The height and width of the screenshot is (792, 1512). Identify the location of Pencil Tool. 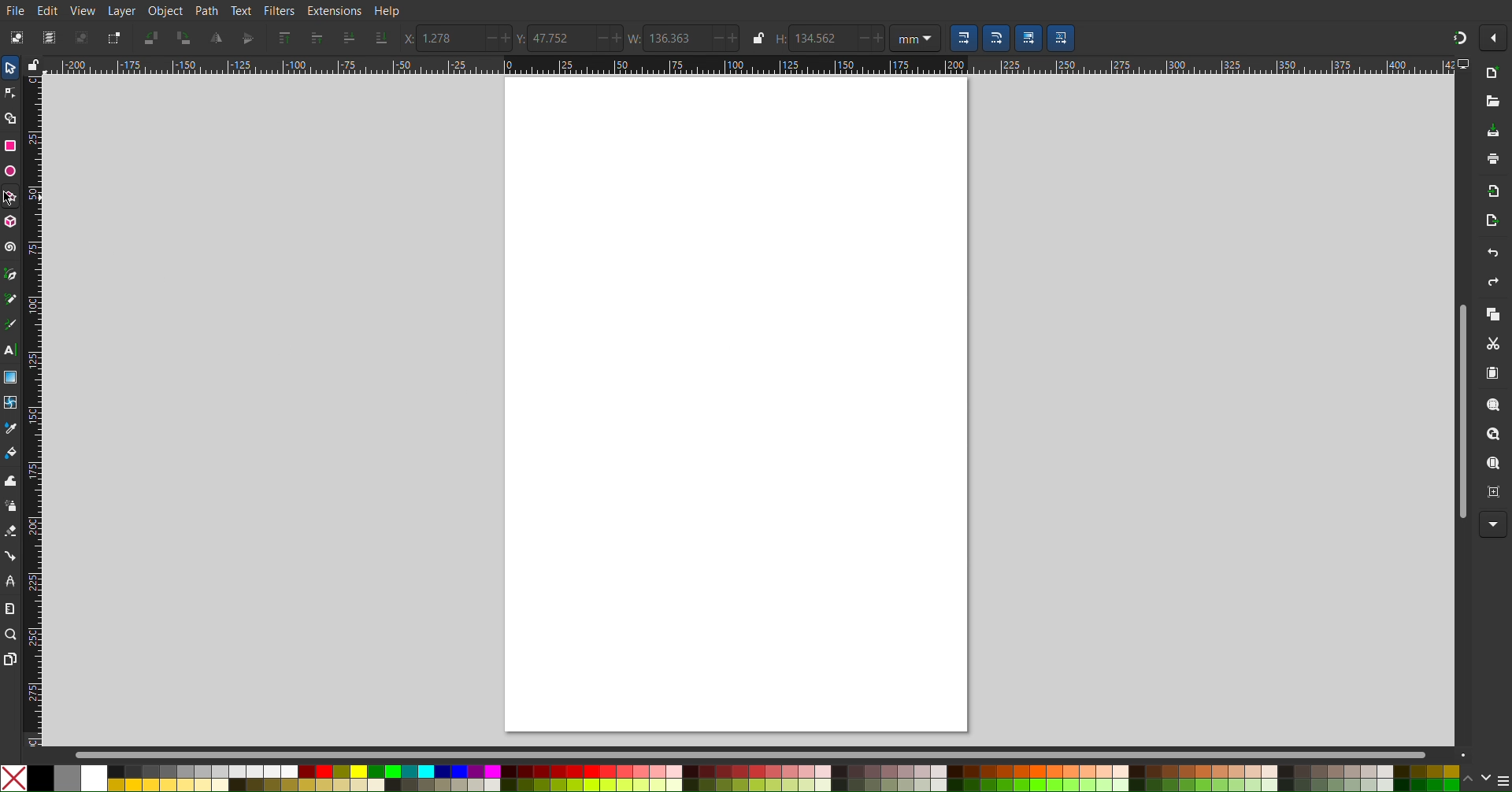
(10, 300).